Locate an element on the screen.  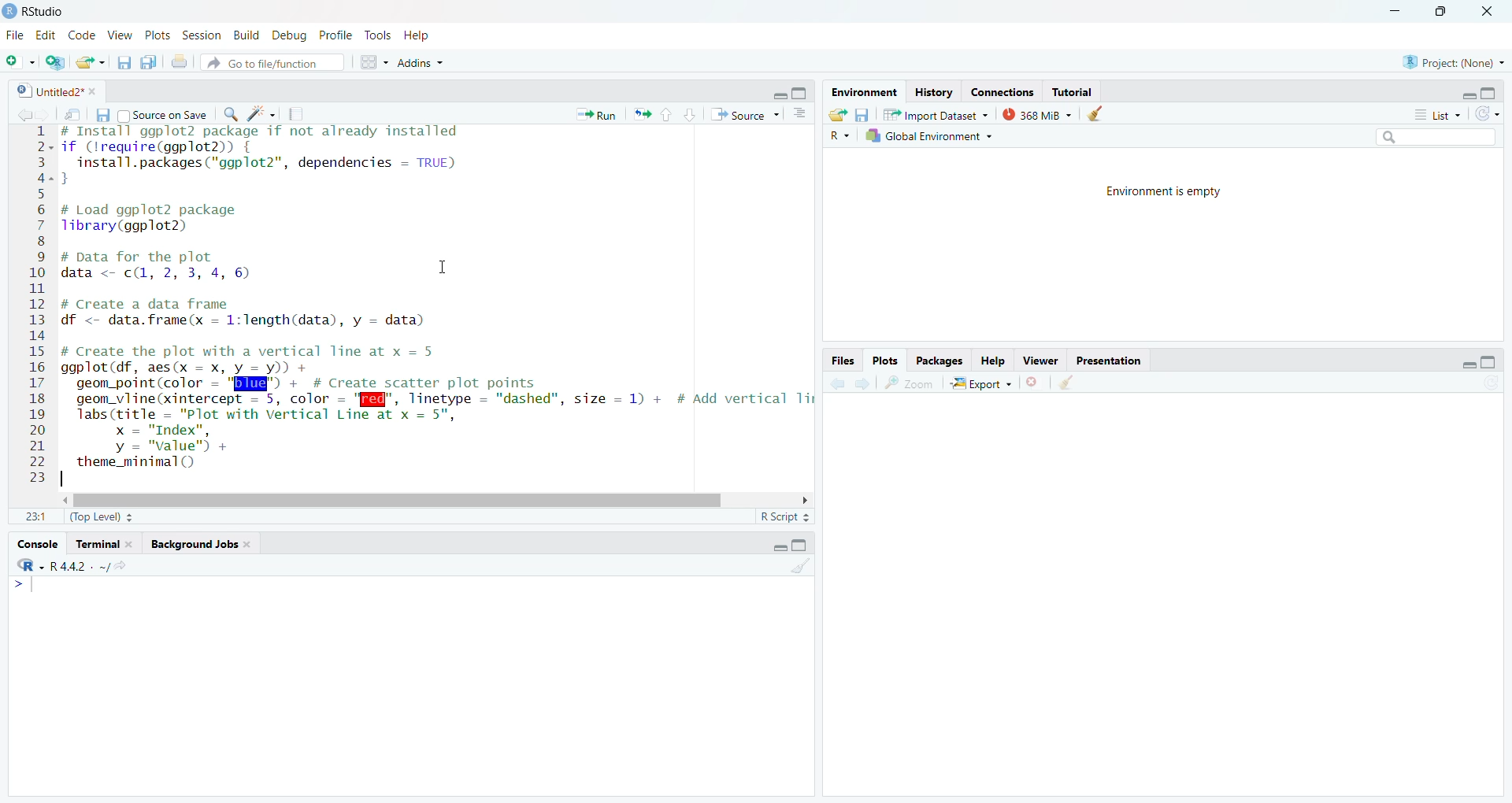
clear is located at coordinates (797, 566).